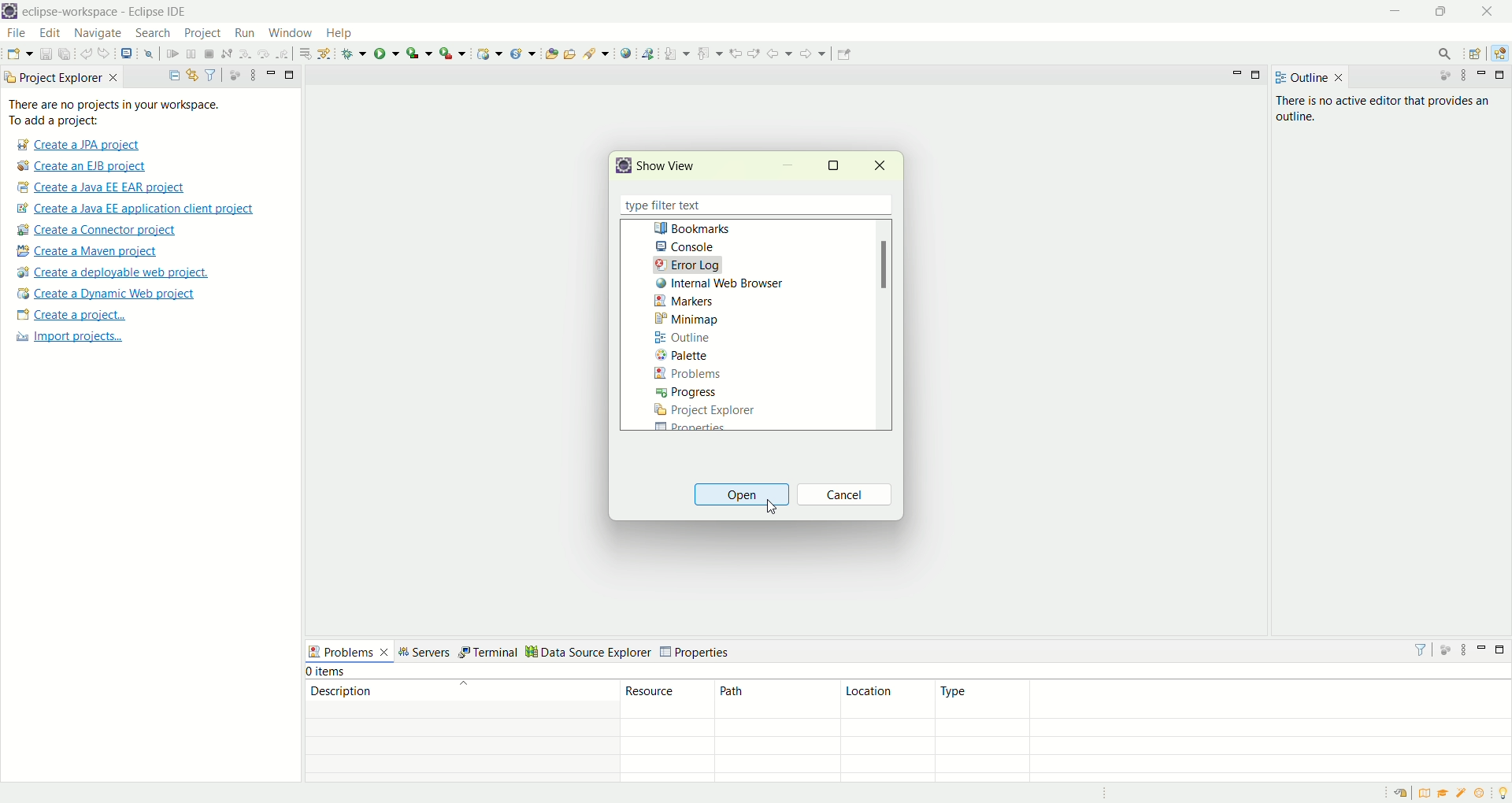 The height and width of the screenshot is (803, 1512). Describe the element at coordinates (706, 411) in the screenshot. I see `project explorer` at that location.